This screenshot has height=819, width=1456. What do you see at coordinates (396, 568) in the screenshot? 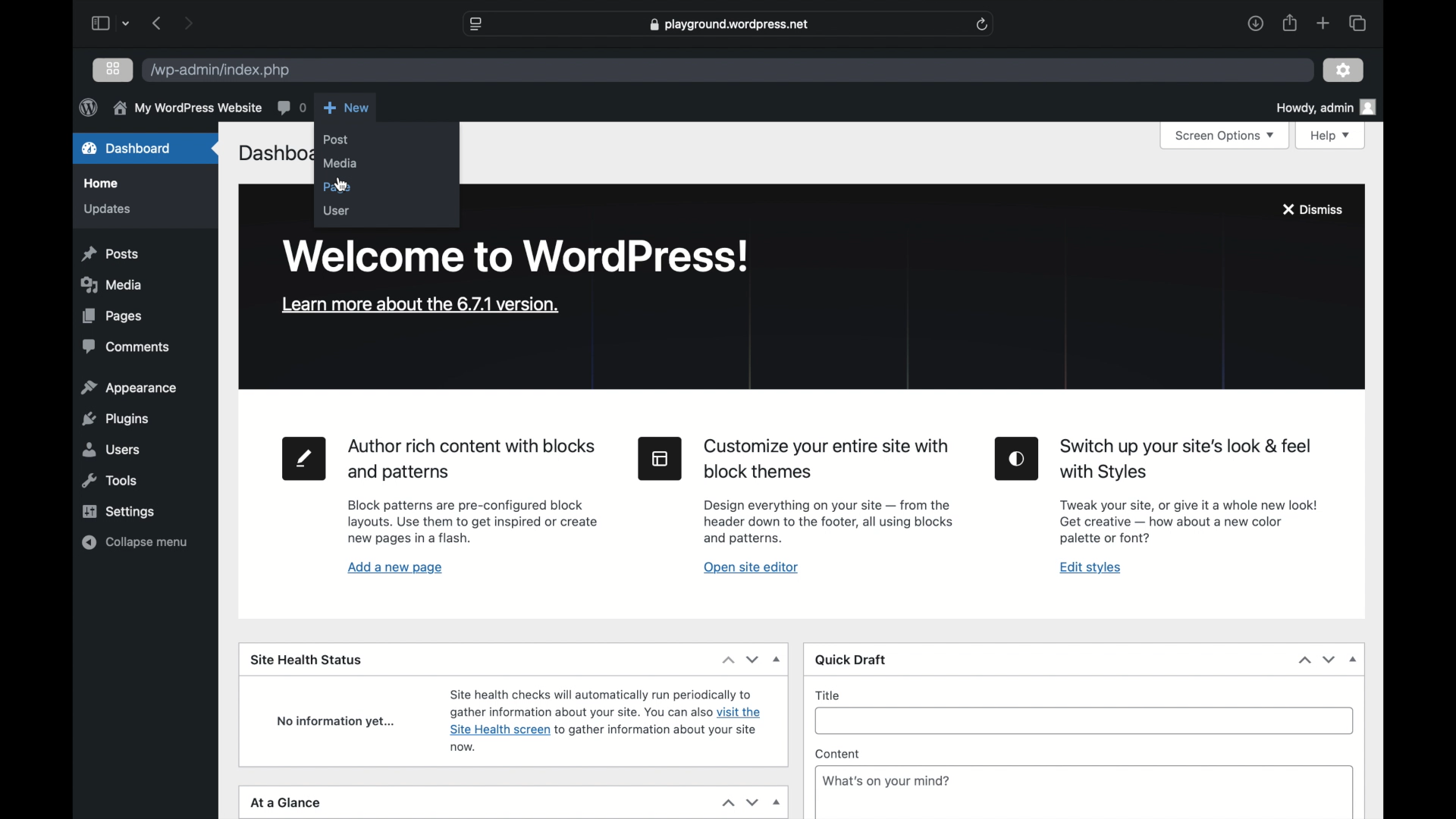
I see `add a new page` at bounding box center [396, 568].